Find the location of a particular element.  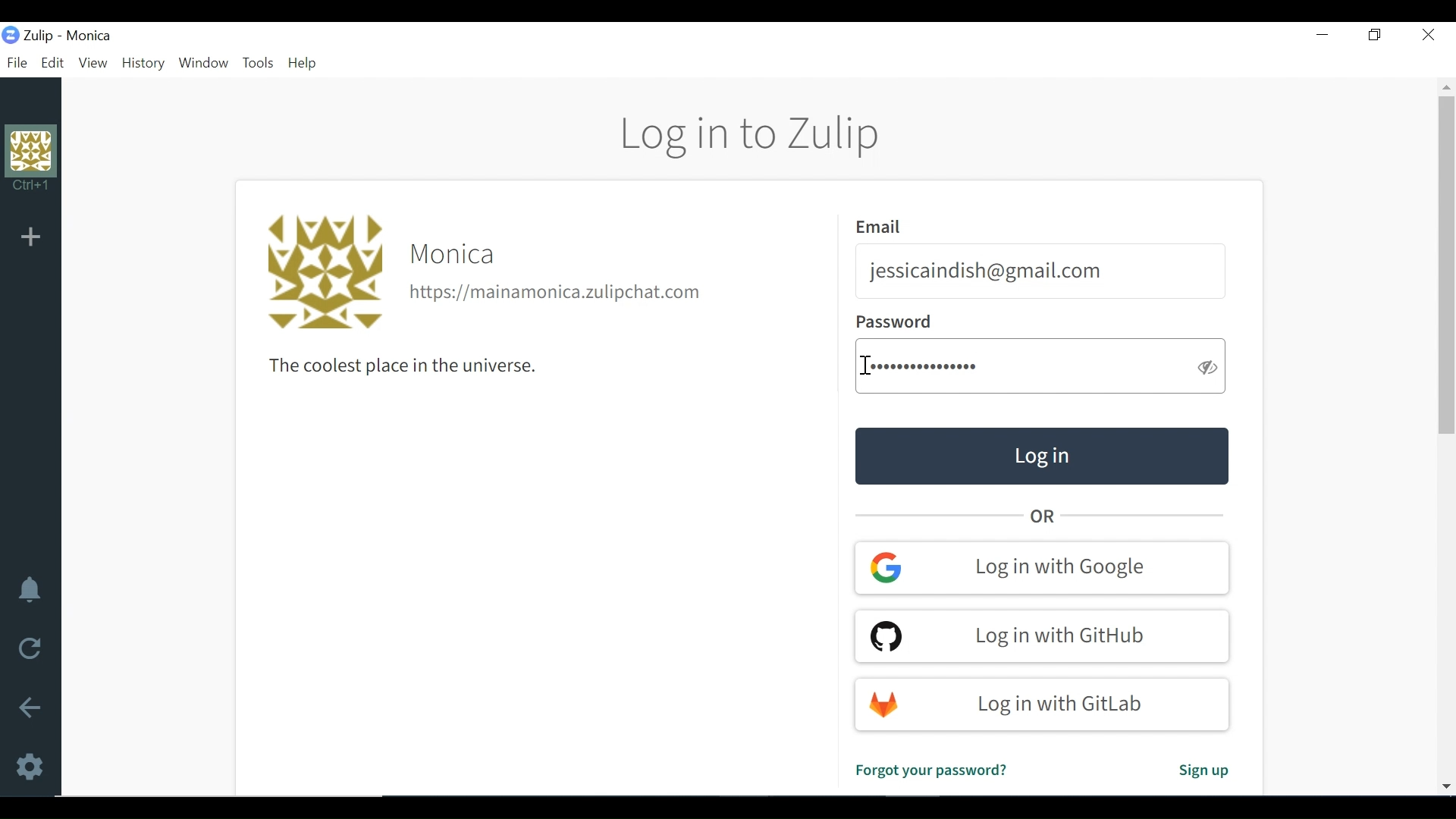

OR is located at coordinates (1046, 516).